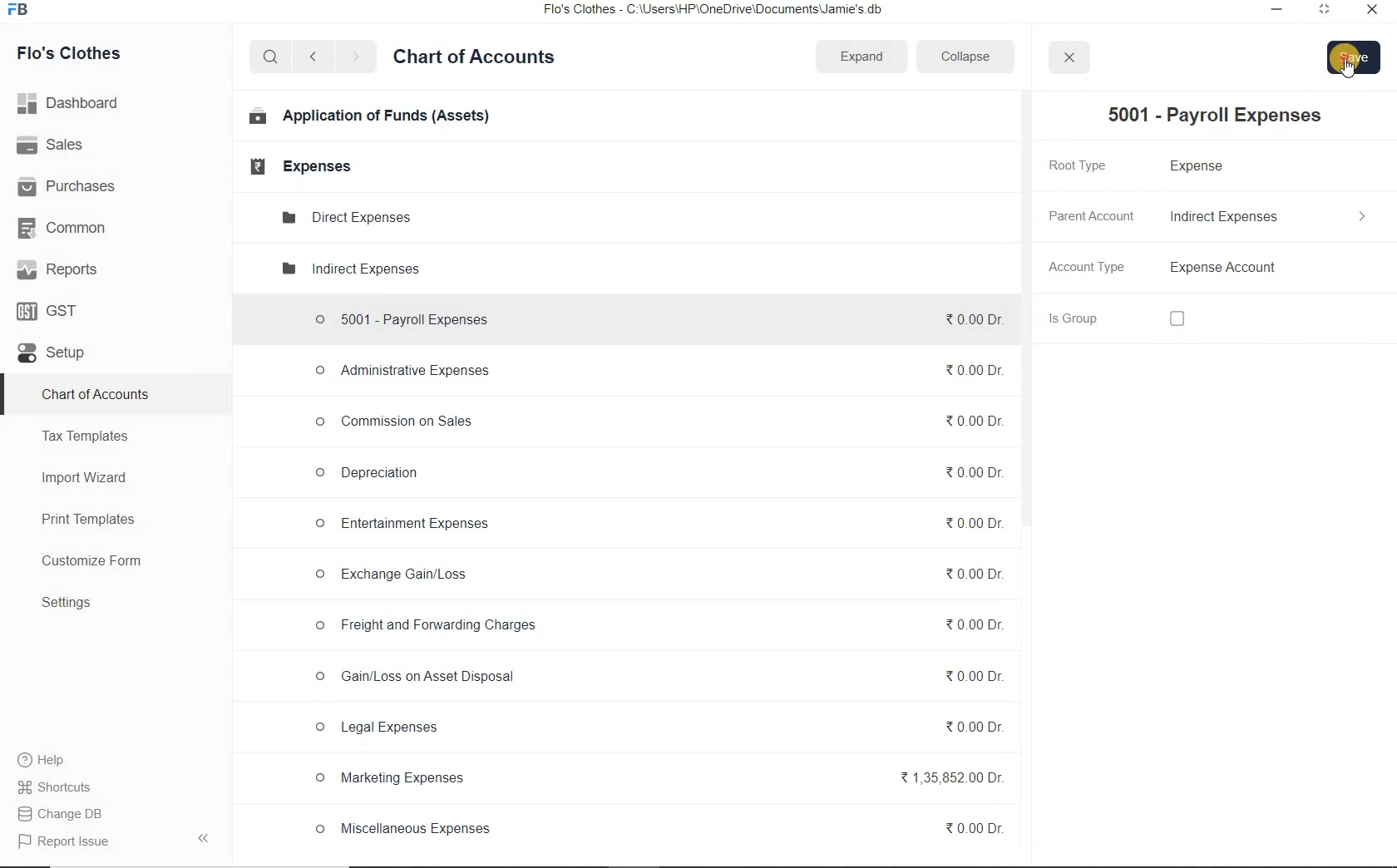 The width and height of the screenshot is (1397, 868). I want to click on GST, so click(49, 310).